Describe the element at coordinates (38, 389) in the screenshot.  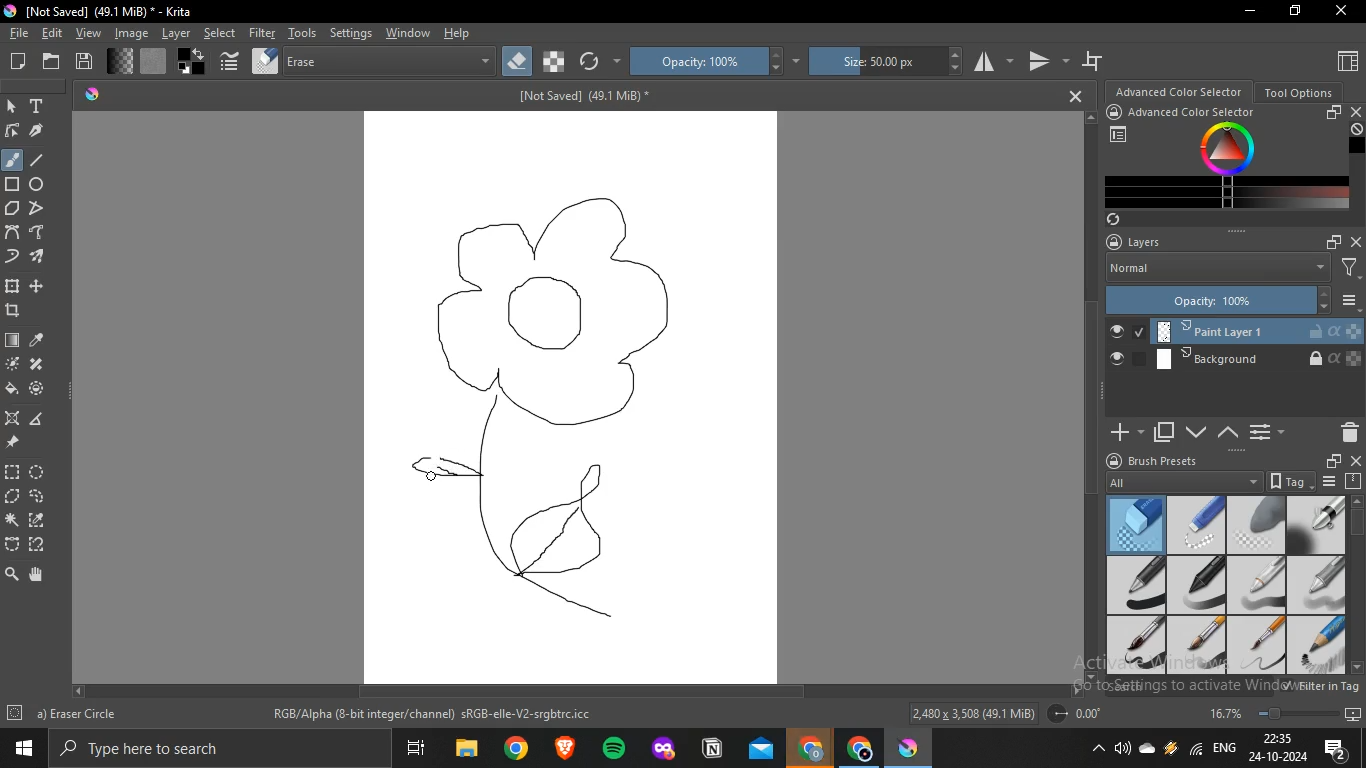
I see `fill and color` at that location.